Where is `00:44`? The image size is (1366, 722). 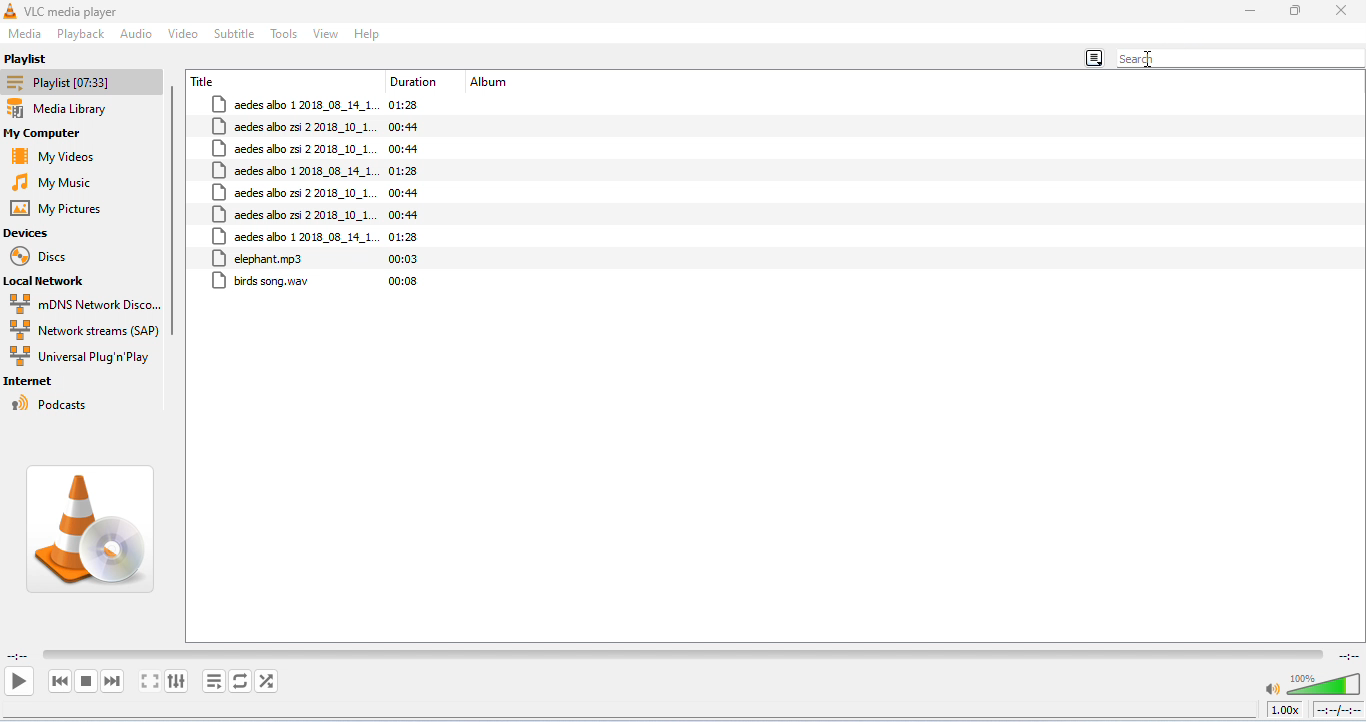
00:44 is located at coordinates (404, 126).